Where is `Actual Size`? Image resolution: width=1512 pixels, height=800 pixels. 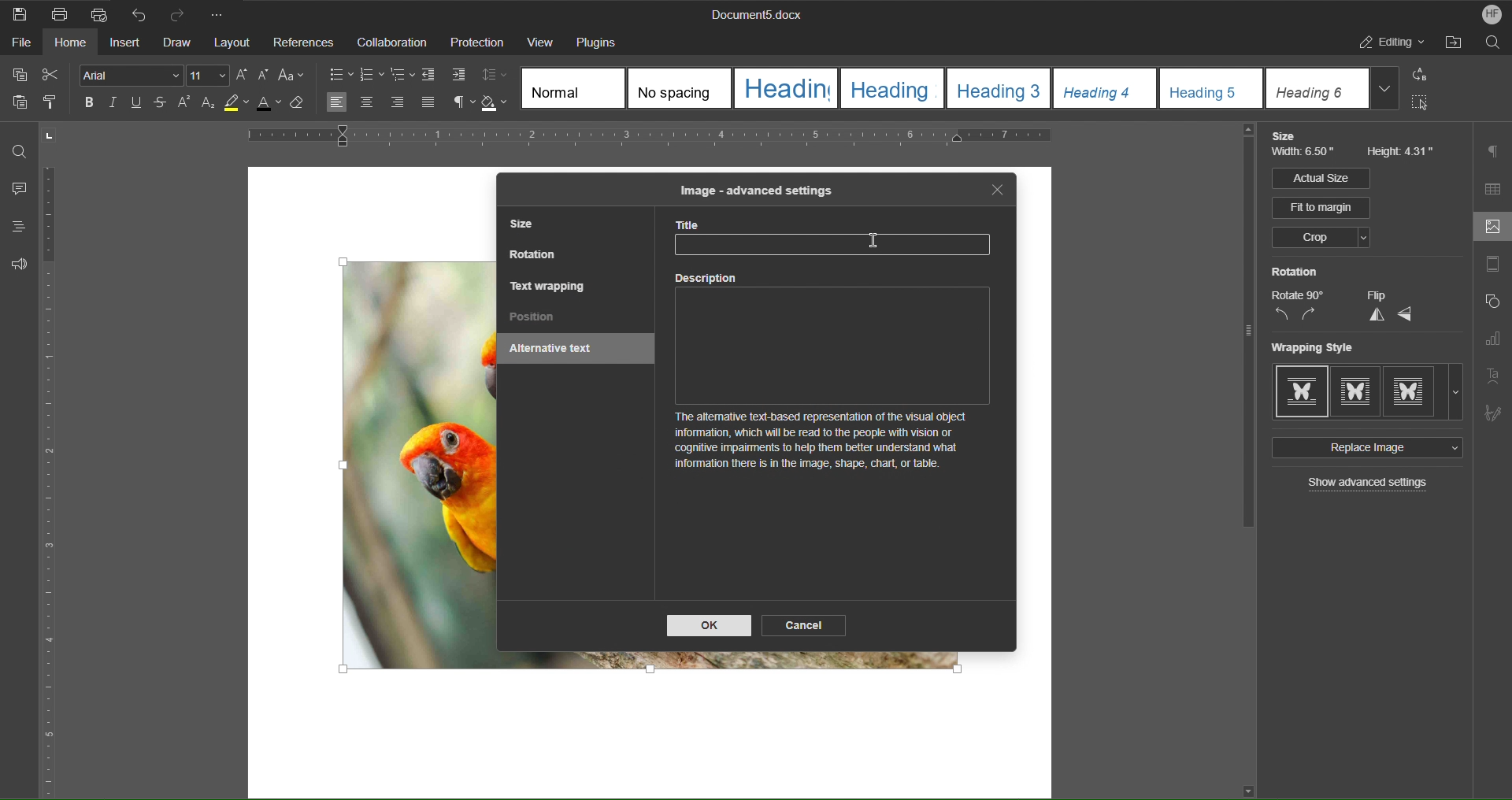 Actual Size is located at coordinates (1320, 178).